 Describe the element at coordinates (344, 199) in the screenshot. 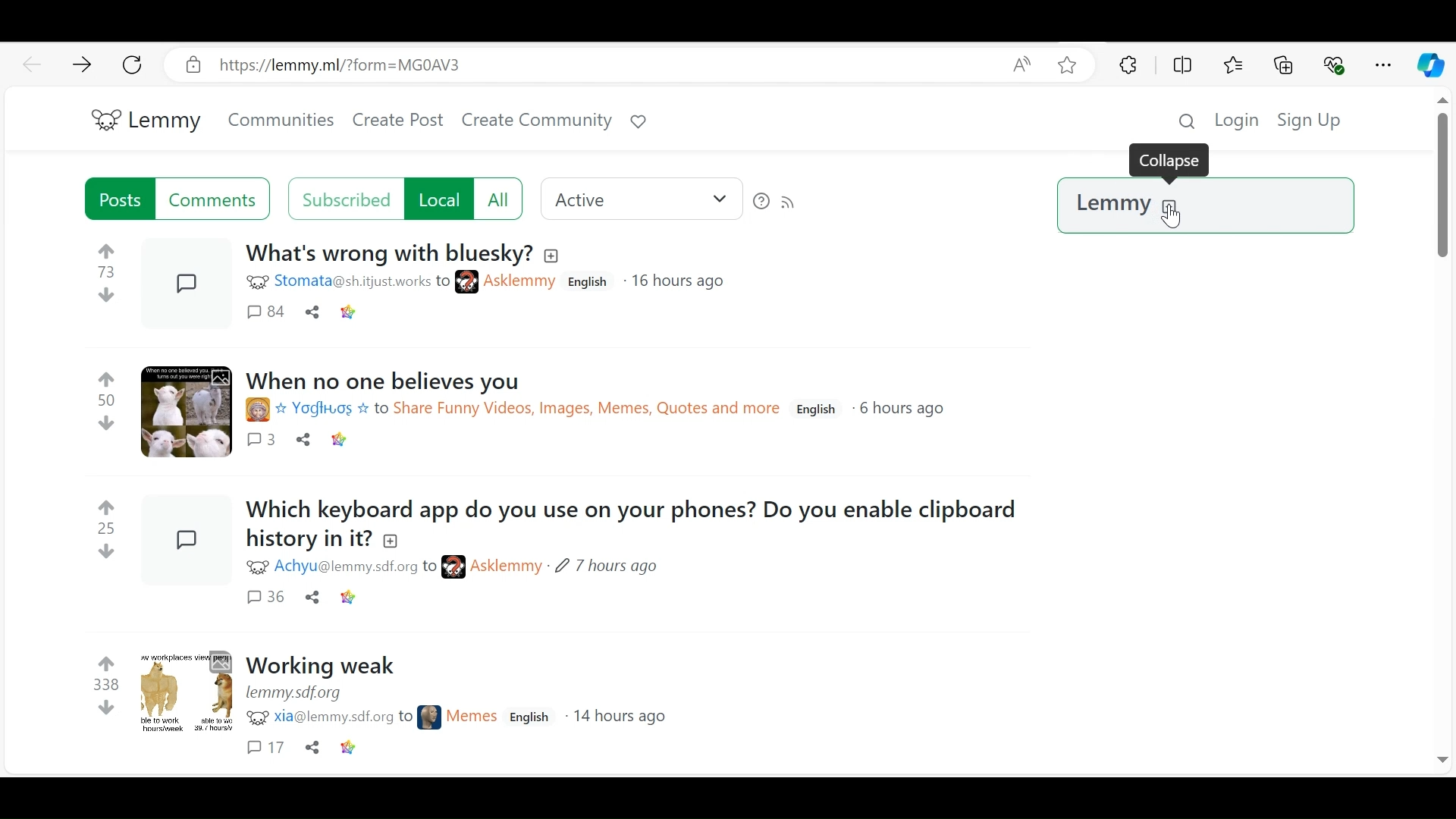

I see `Subscribed` at that location.